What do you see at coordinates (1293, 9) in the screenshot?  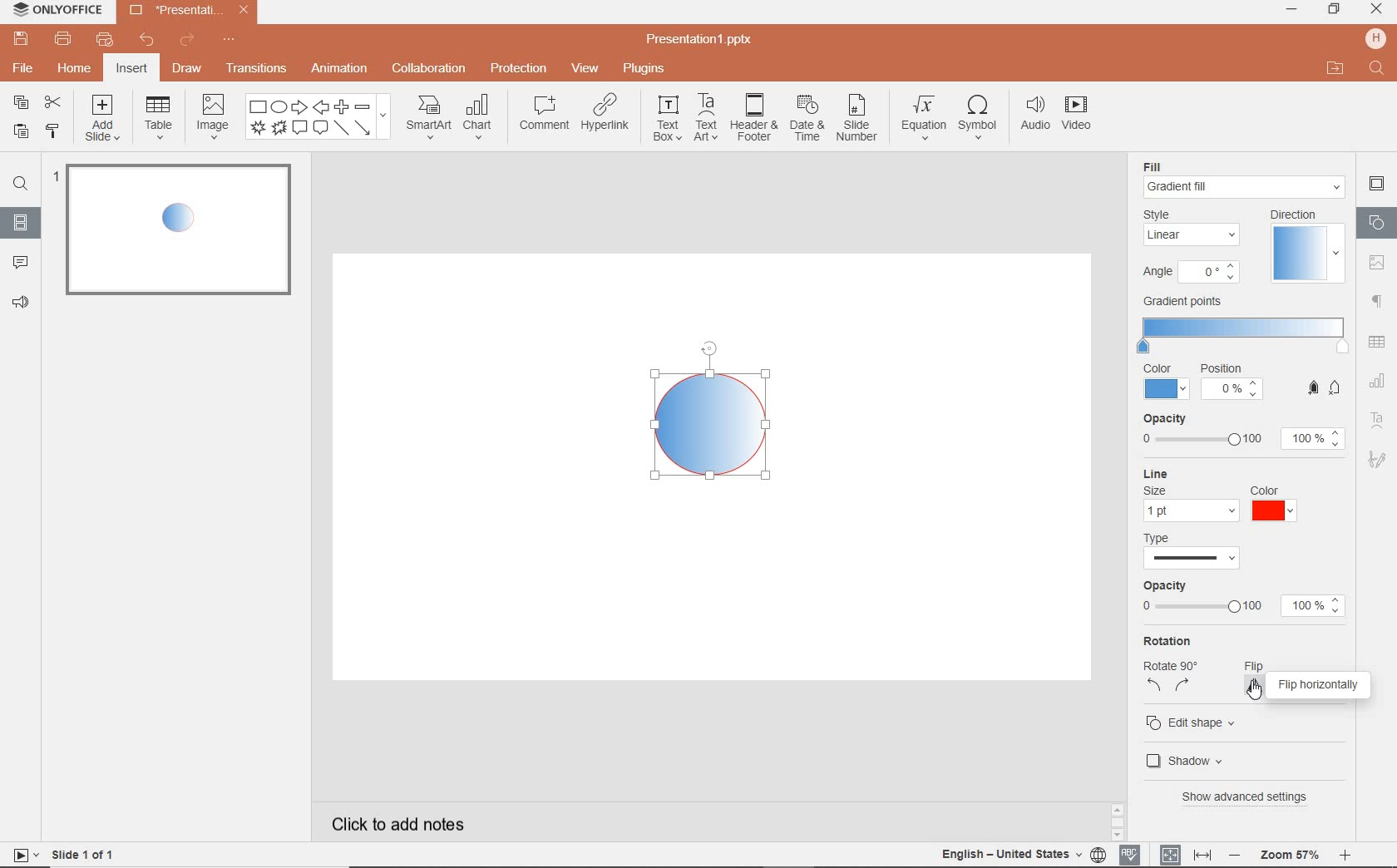 I see `minimize` at bounding box center [1293, 9].